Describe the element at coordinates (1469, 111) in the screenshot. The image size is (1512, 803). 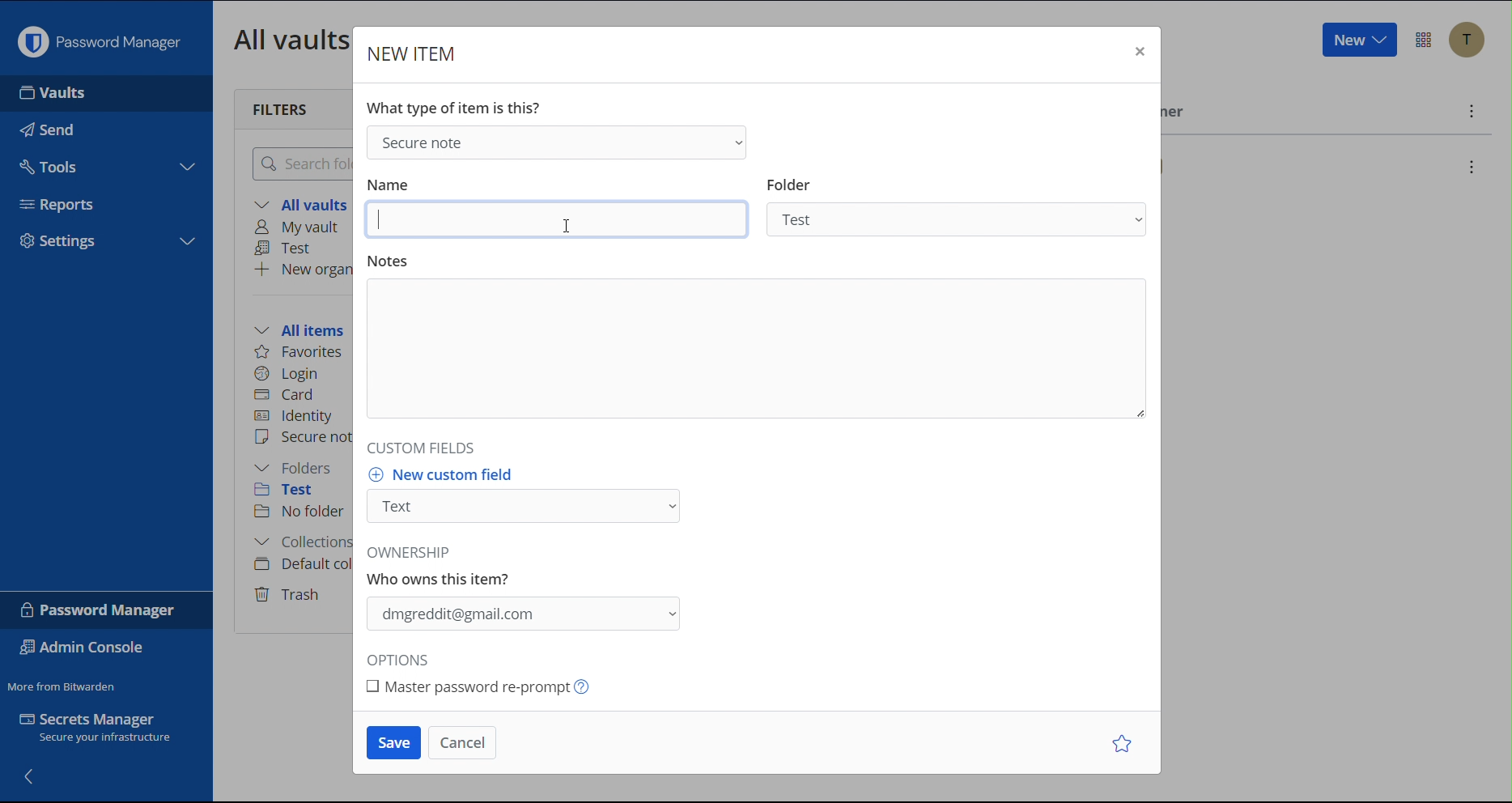
I see `More` at that location.